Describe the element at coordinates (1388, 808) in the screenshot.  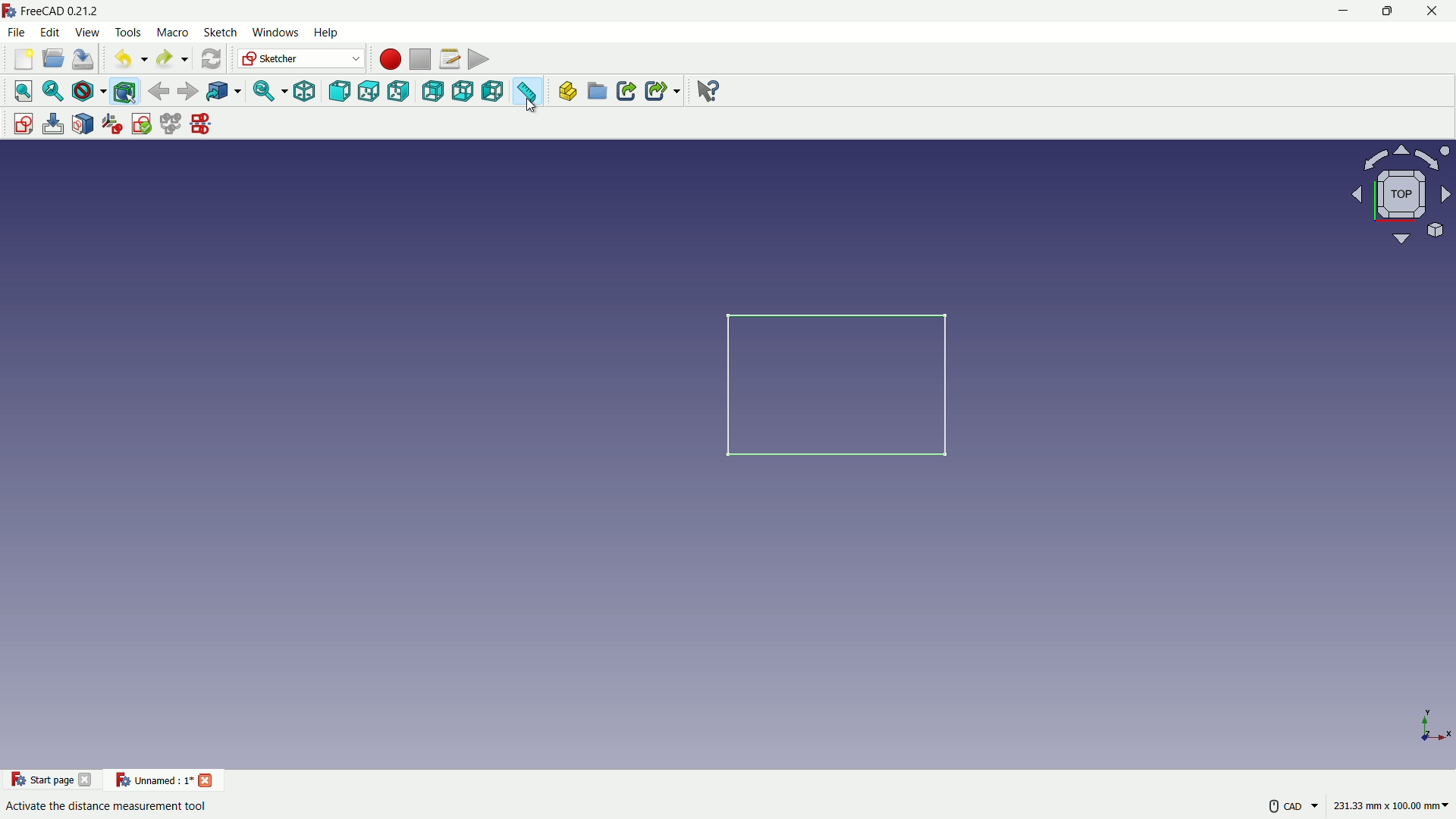
I see `measuring unit` at that location.